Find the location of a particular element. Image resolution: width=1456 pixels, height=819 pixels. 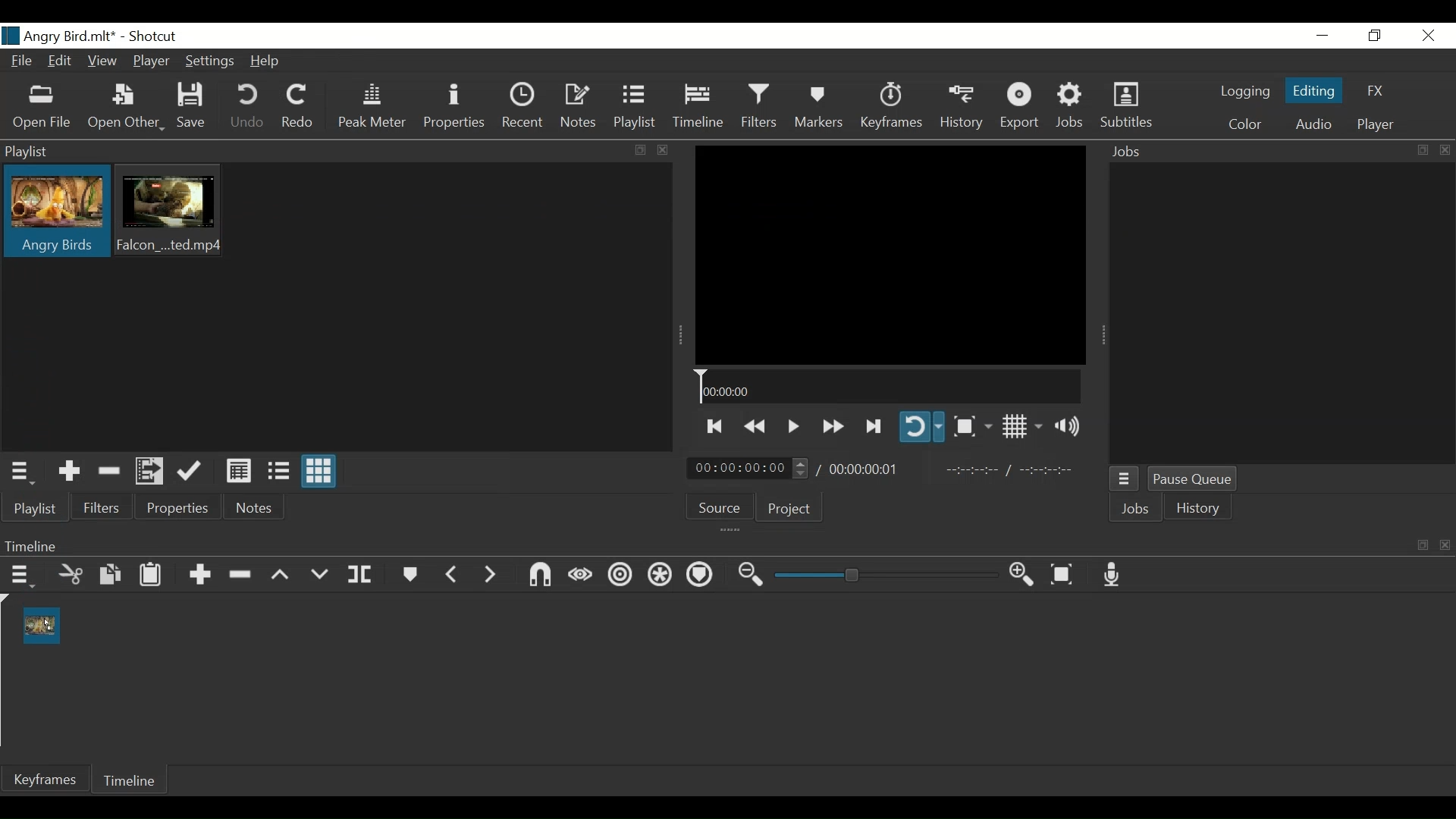

Zoom timeline out is located at coordinates (748, 576).